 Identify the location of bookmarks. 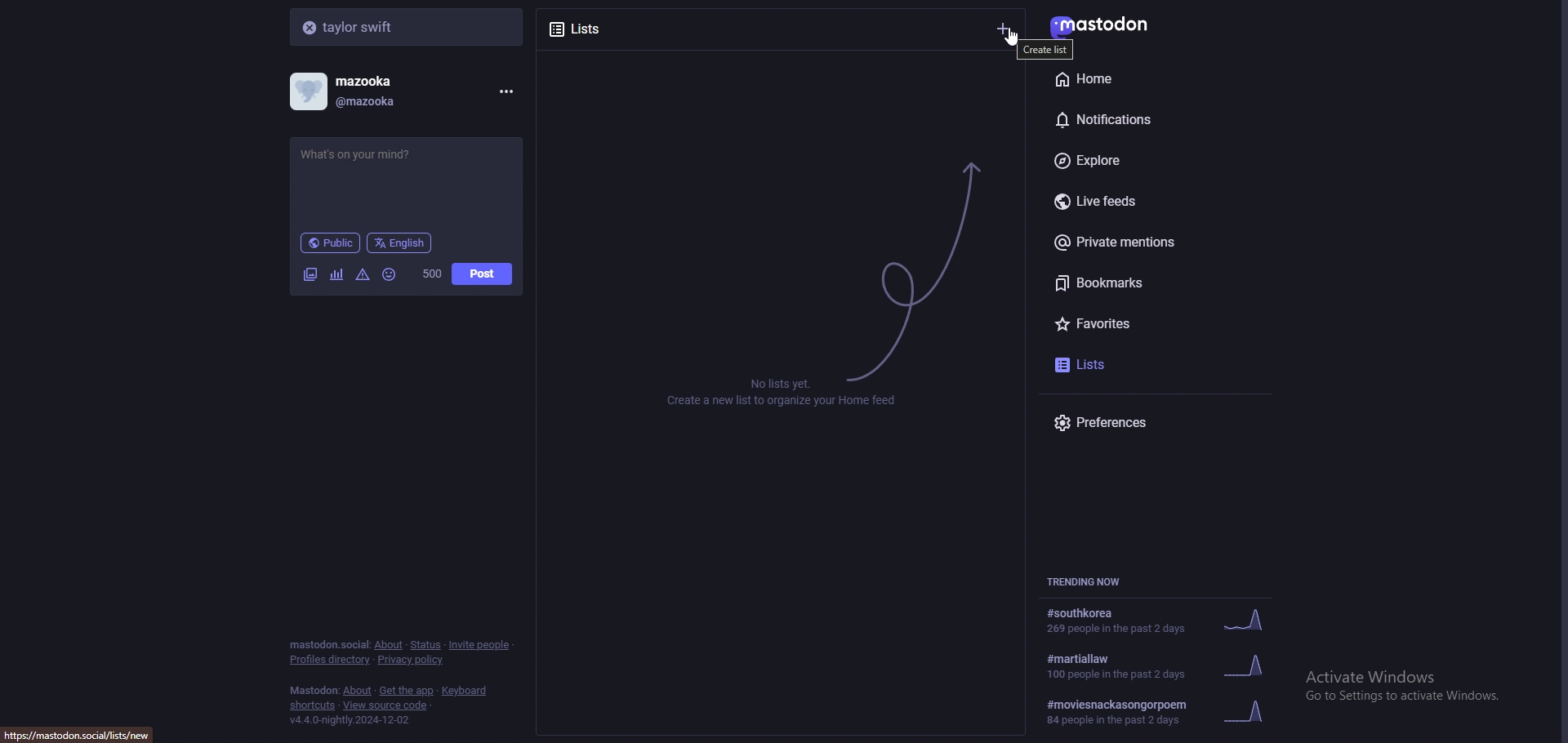
(1158, 283).